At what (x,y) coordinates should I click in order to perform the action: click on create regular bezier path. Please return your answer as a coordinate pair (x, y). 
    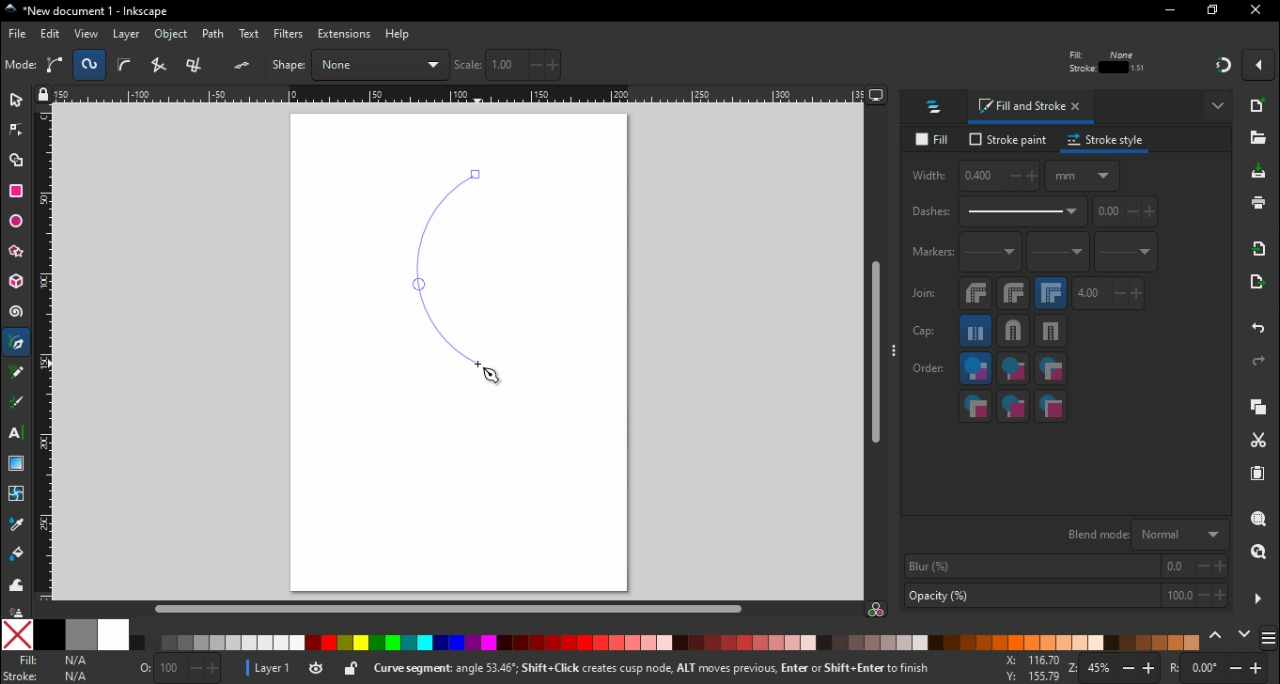
    Looking at the image, I should click on (56, 65).